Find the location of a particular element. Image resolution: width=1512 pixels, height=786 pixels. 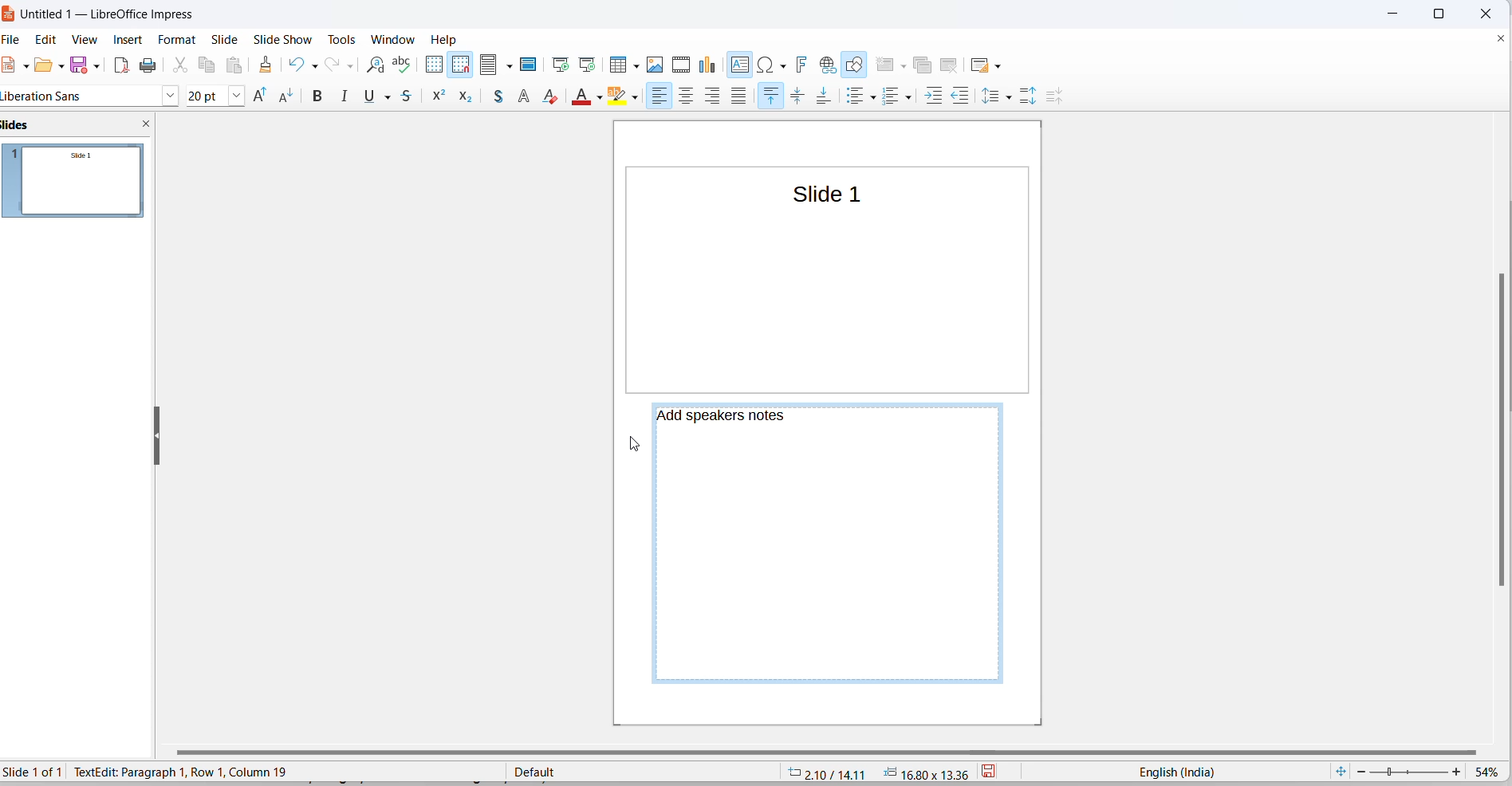

slides and close slideview is located at coordinates (77, 128).